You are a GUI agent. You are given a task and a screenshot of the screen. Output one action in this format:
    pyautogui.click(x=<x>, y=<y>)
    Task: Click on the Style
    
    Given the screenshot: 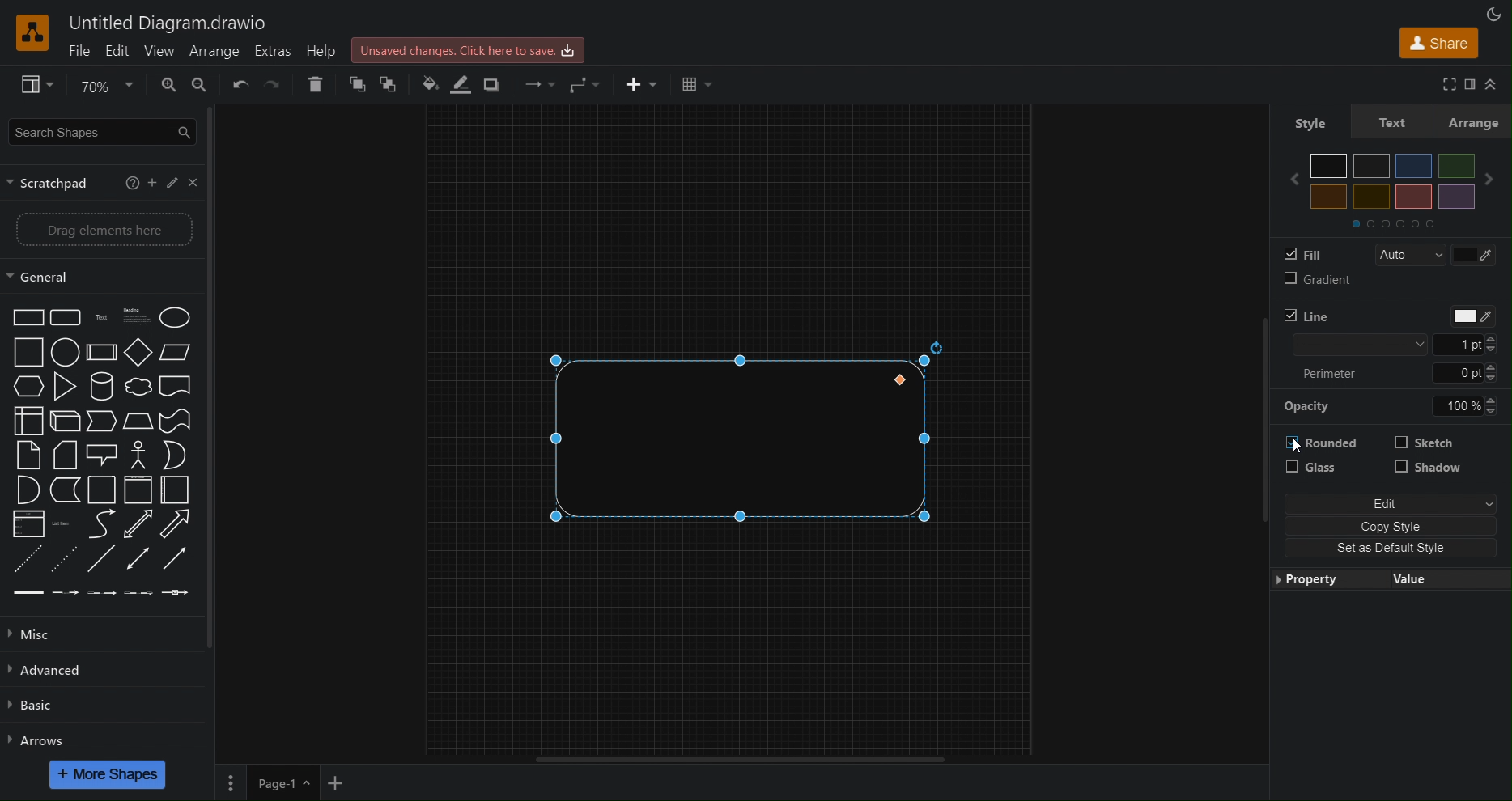 What is the action you would take?
    pyautogui.click(x=1308, y=124)
    